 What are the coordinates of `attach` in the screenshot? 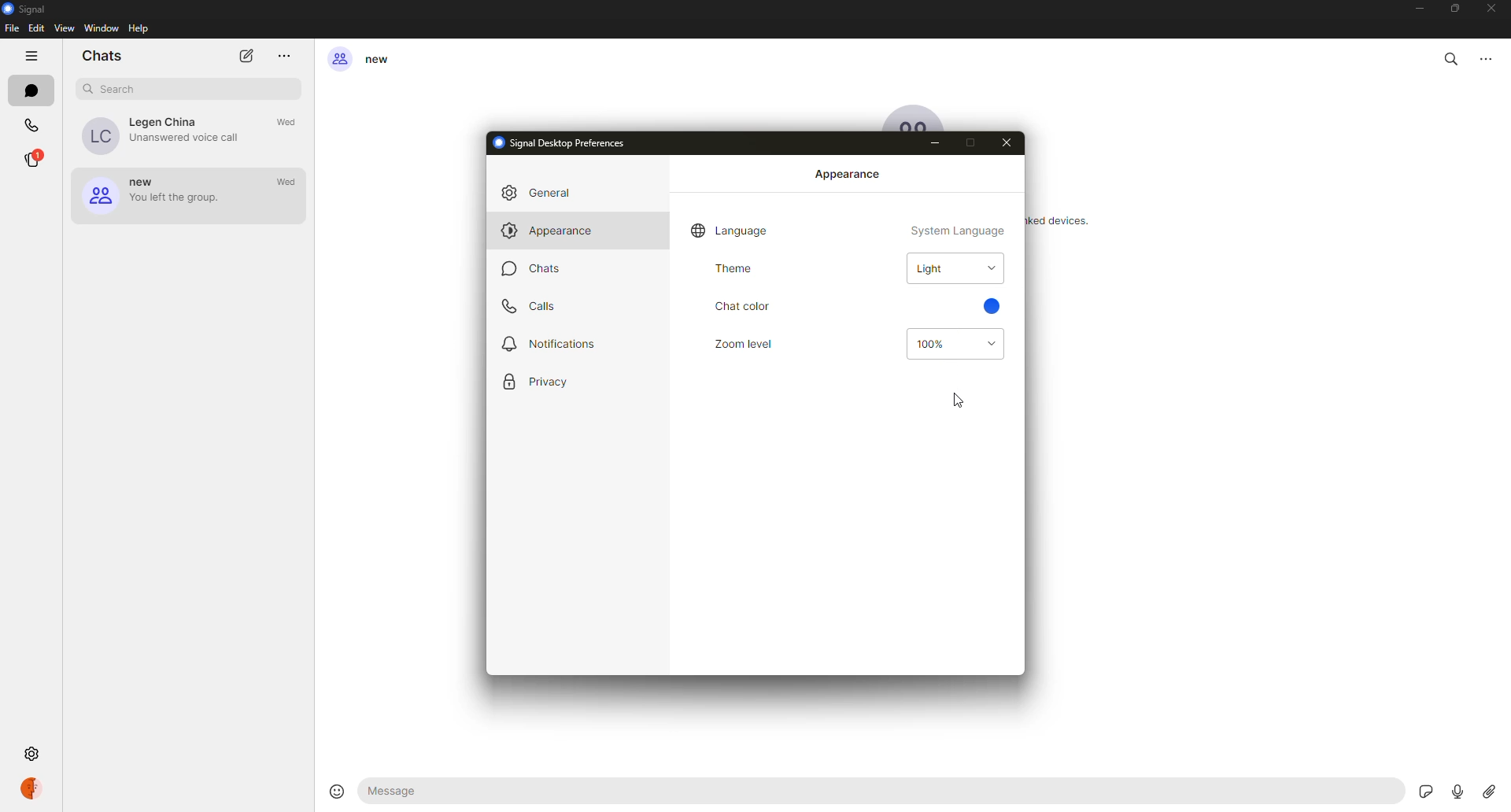 It's located at (1488, 792).